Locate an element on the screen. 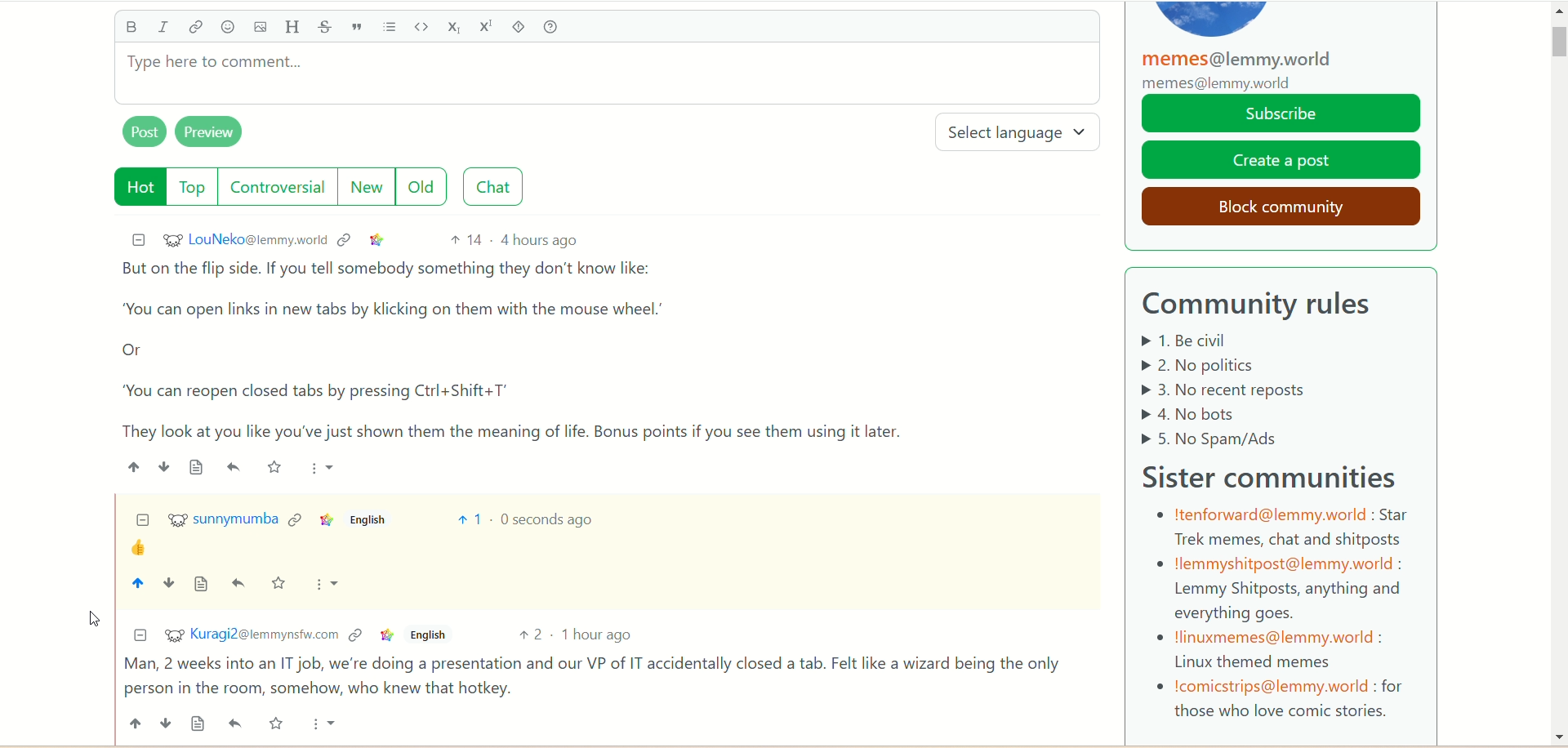 Image resolution: width=1568 pixels, height=748 pixels. context is located at coordinates (297, 520).